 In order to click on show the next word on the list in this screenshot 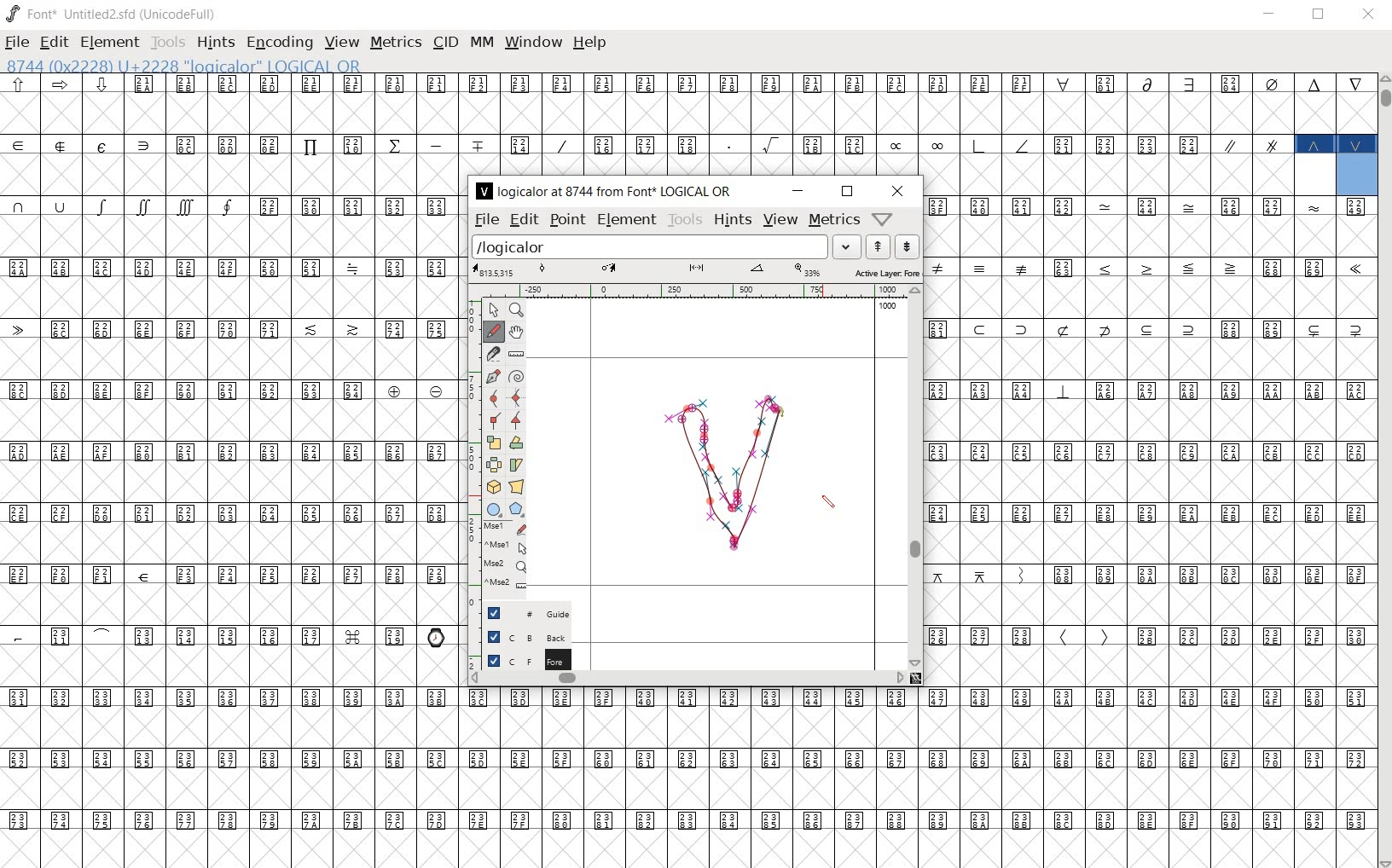, I will do `click(878, 246)`.